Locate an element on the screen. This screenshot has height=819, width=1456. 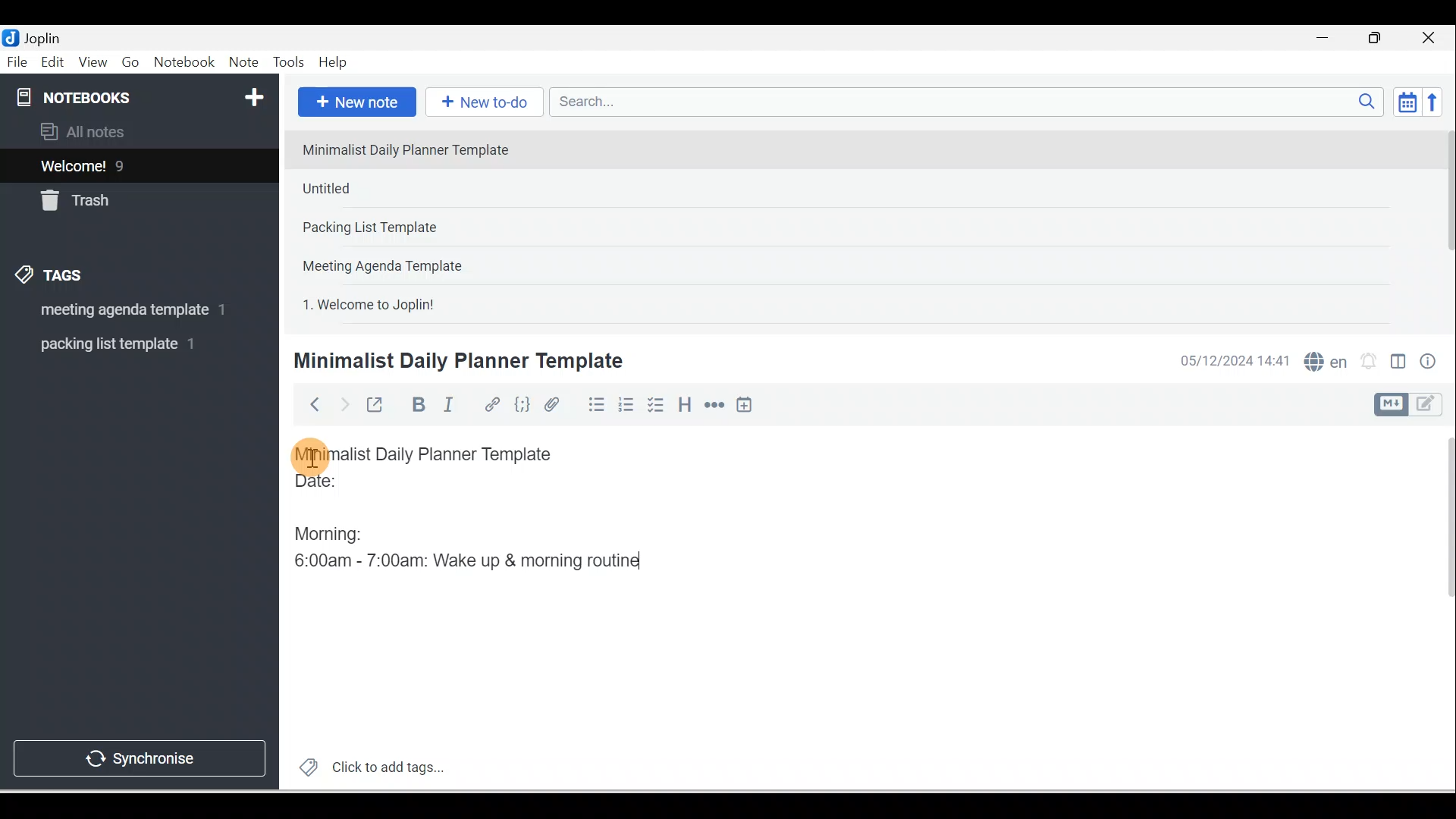
Synchronise is located at coordinates (138, 755).